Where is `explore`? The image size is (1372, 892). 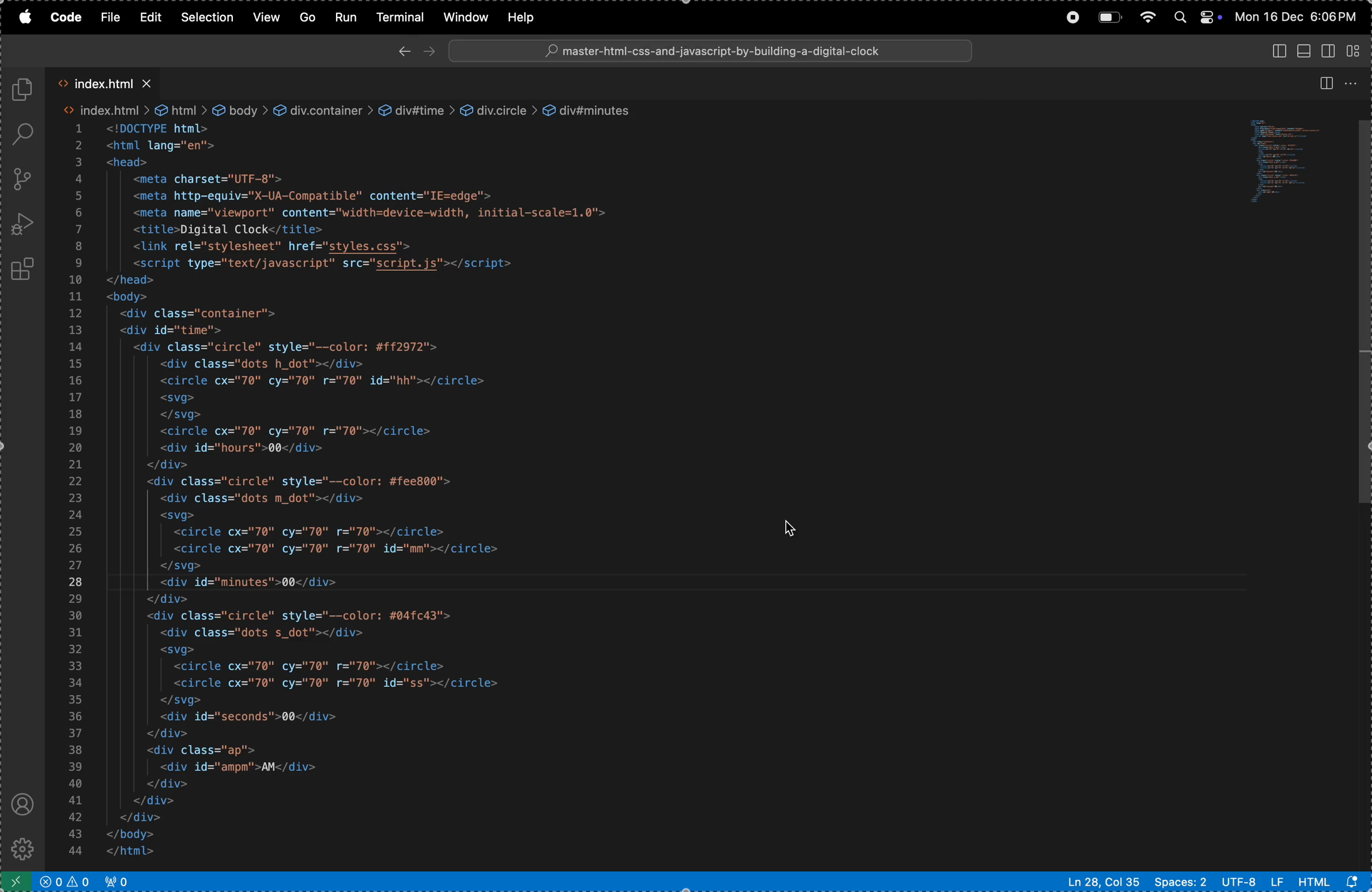 explore is located at coordinates (26, 92).